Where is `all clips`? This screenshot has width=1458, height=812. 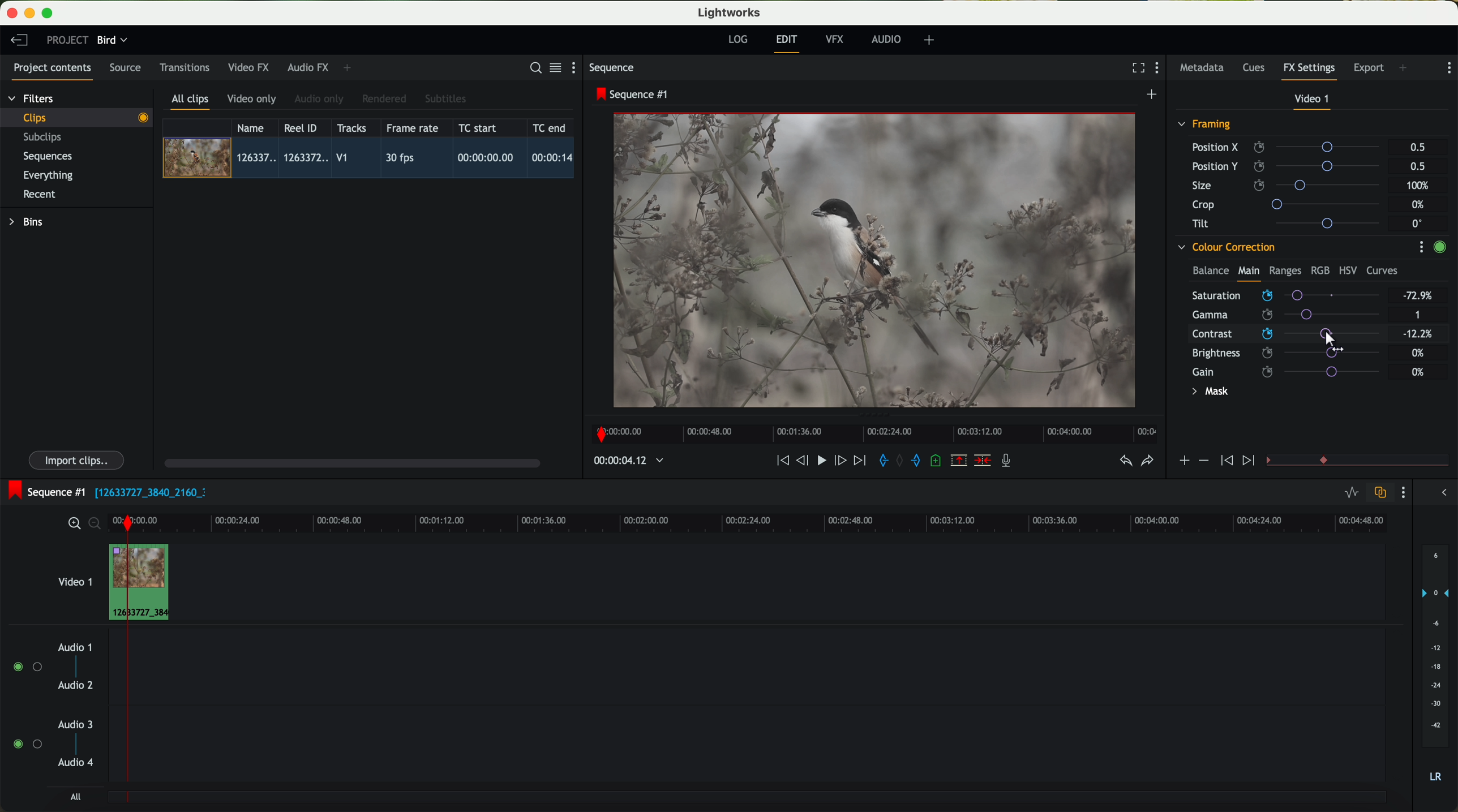 all clips is located at coordinates (191, 102).